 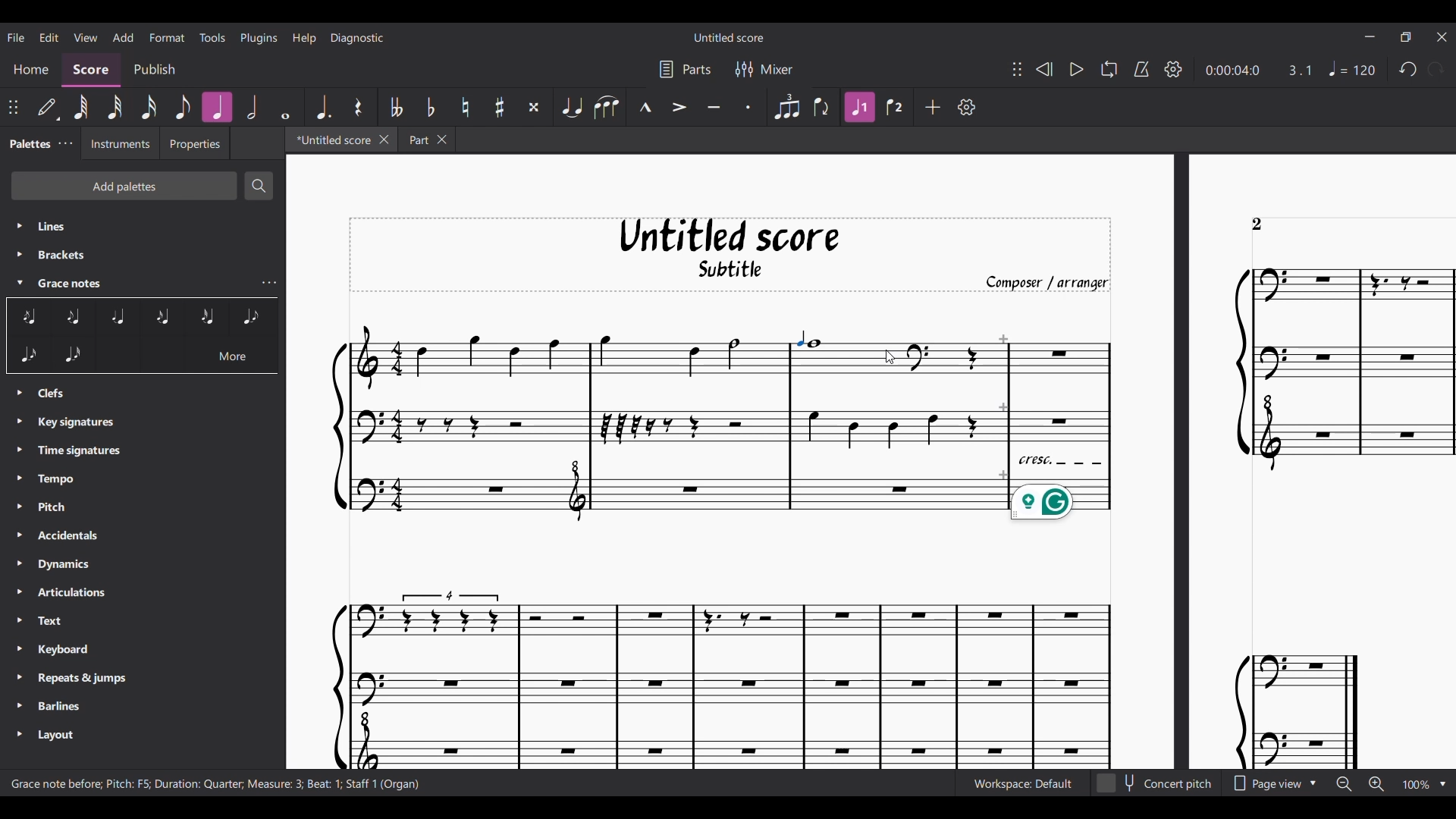 What do you see at coordinates (1405, 37) in the screenshot?
I see `Show interface in a smaller tab` at bounding box center [1405, 37].